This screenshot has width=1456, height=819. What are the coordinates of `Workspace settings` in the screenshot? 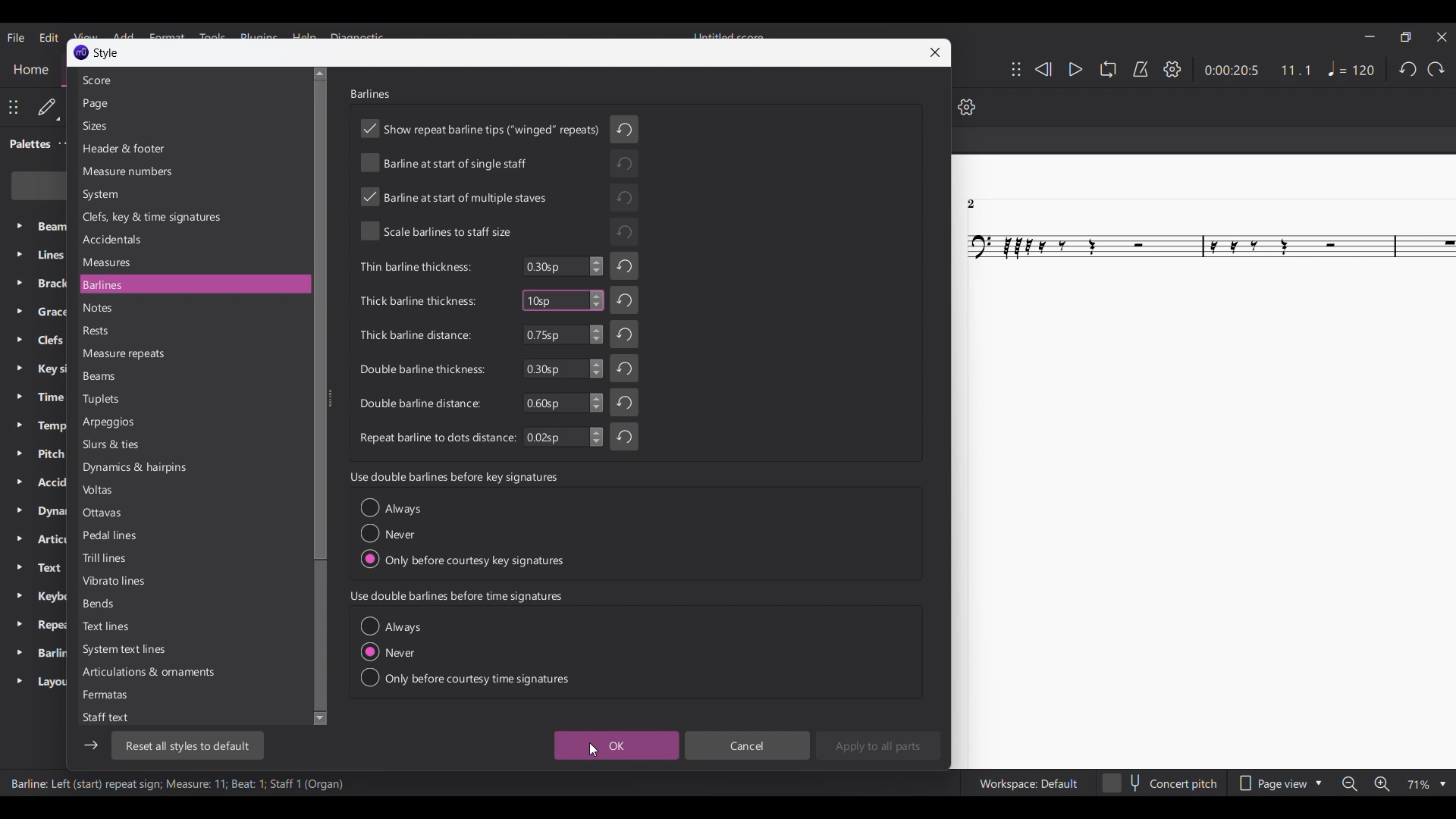 It's located at (1028, 783).